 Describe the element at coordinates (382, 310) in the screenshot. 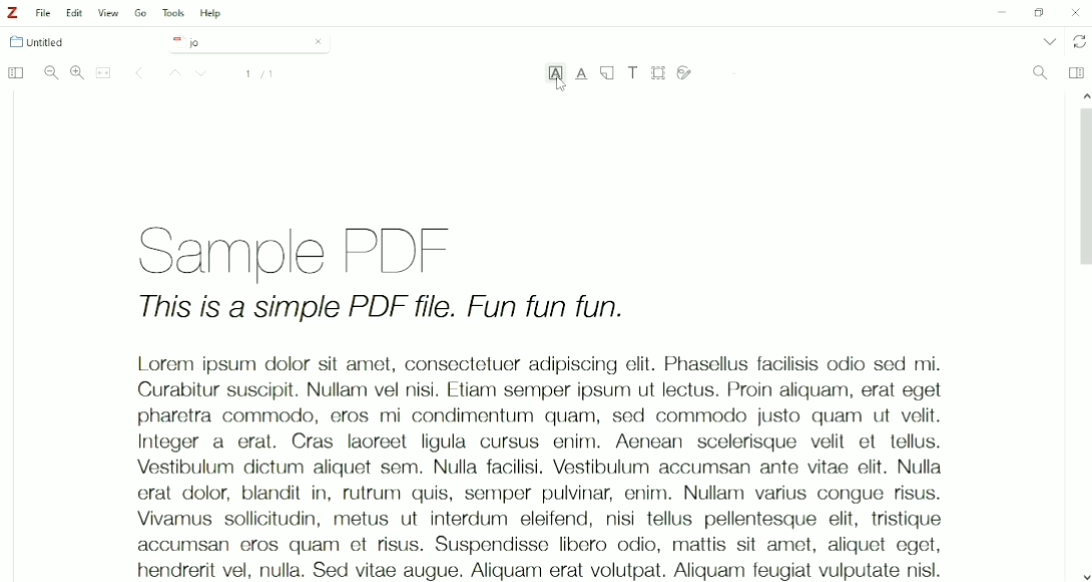

I see `This is a simple PDF file. Fun fun fun.` at that location.